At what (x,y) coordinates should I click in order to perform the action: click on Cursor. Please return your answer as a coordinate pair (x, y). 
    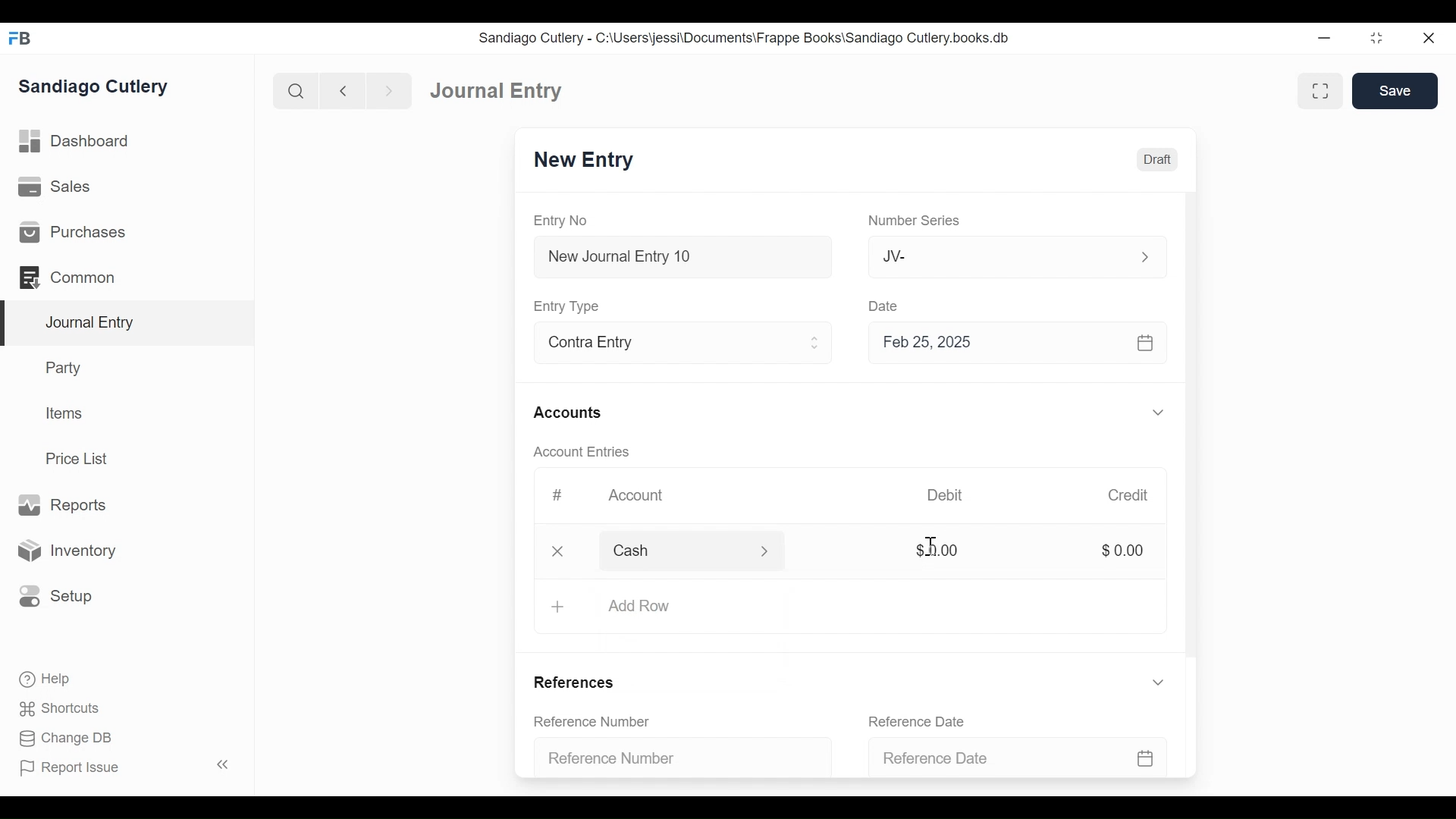
    Looking at the image, I should click on (931, 546).